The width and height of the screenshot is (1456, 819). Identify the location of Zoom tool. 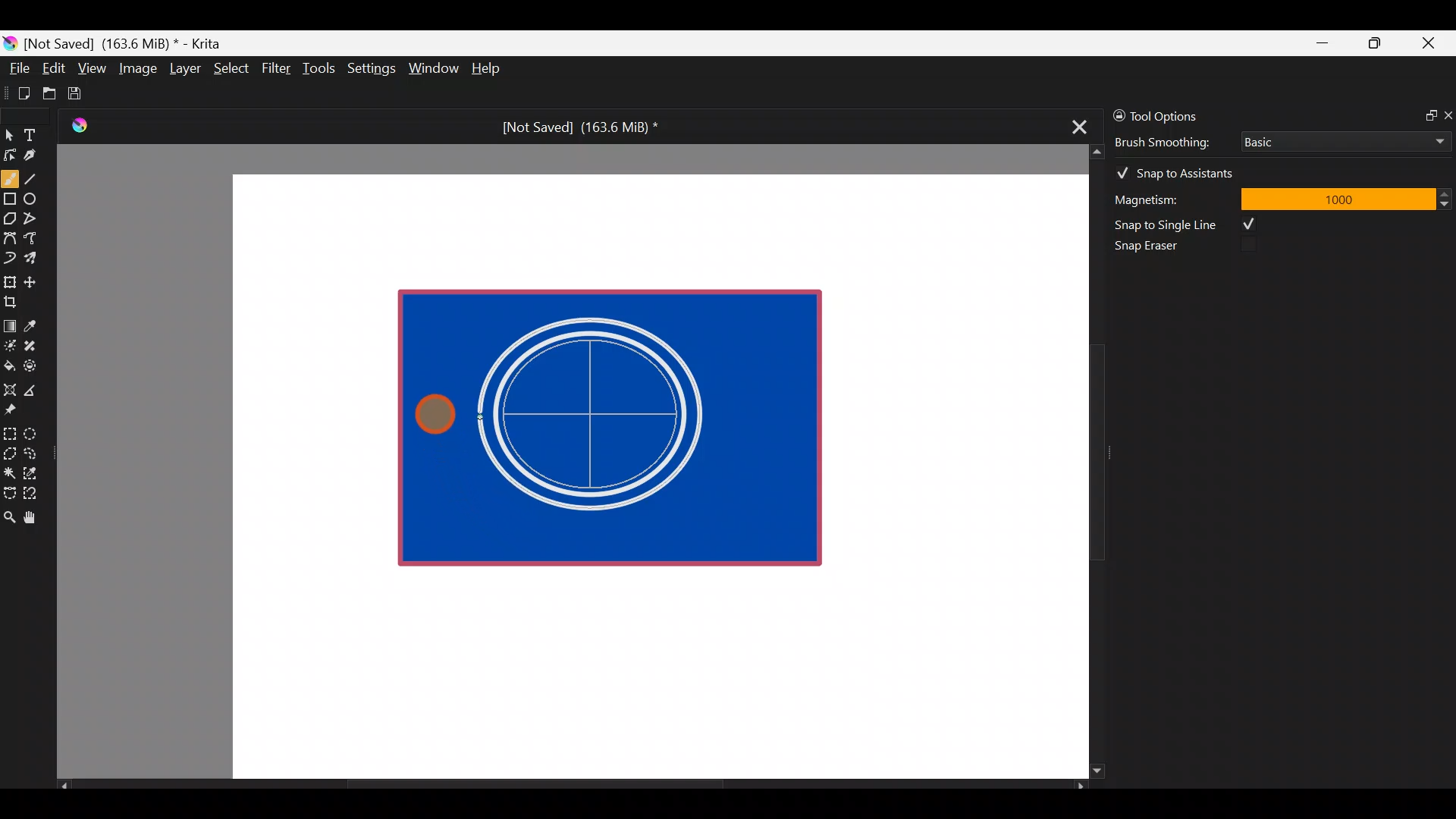
(9, 516).